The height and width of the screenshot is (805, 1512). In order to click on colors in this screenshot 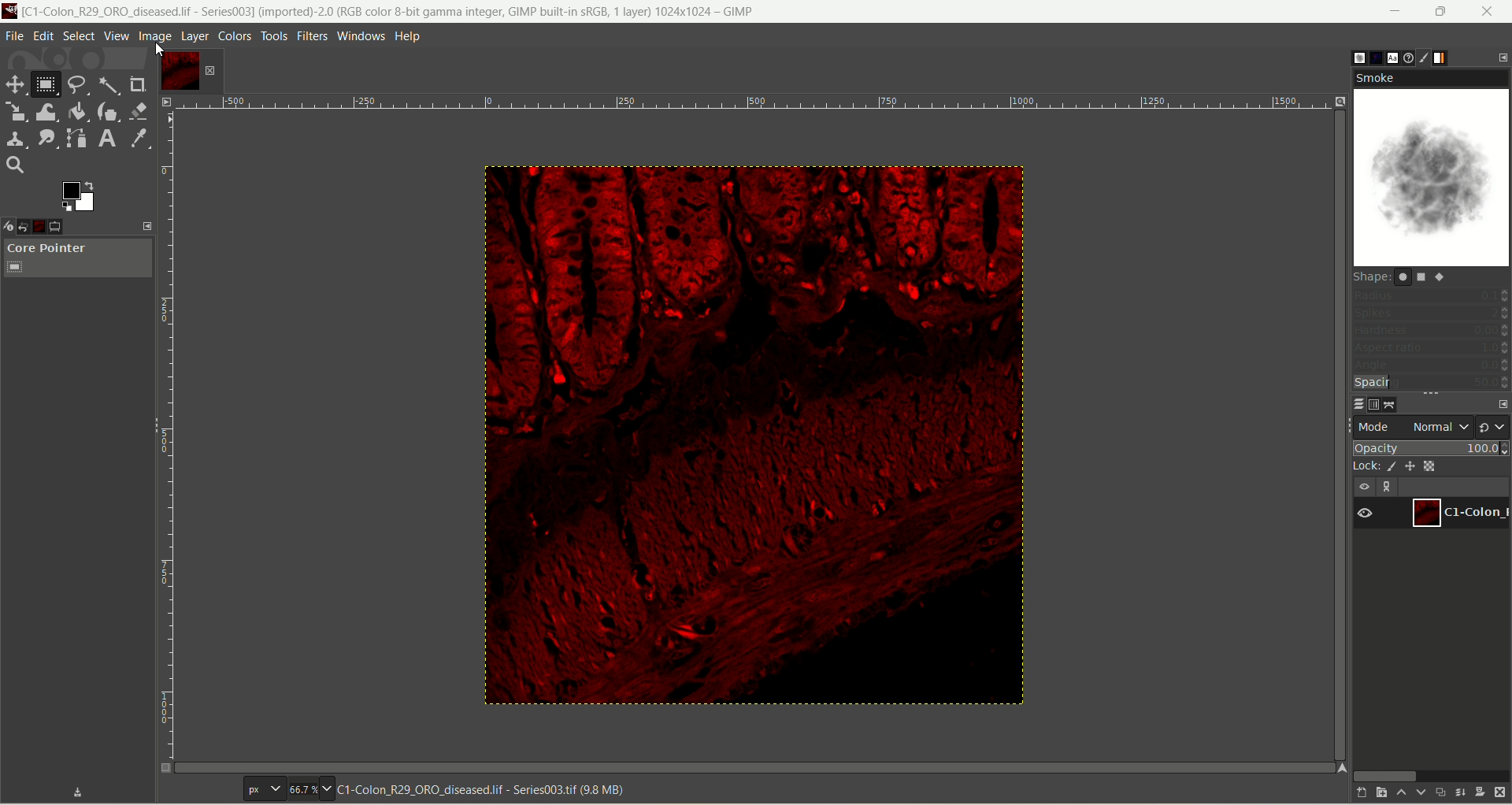, I will do `click(235, 36)`.